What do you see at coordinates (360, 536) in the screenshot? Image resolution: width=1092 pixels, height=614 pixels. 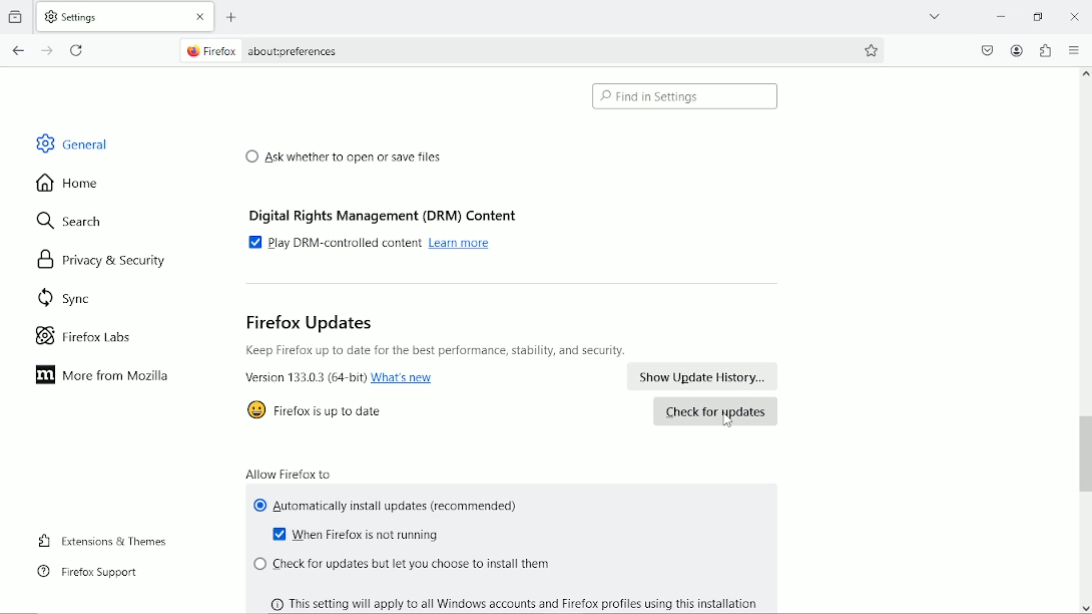 I see `When Firefox is not running` at bounding box center [360, 536].